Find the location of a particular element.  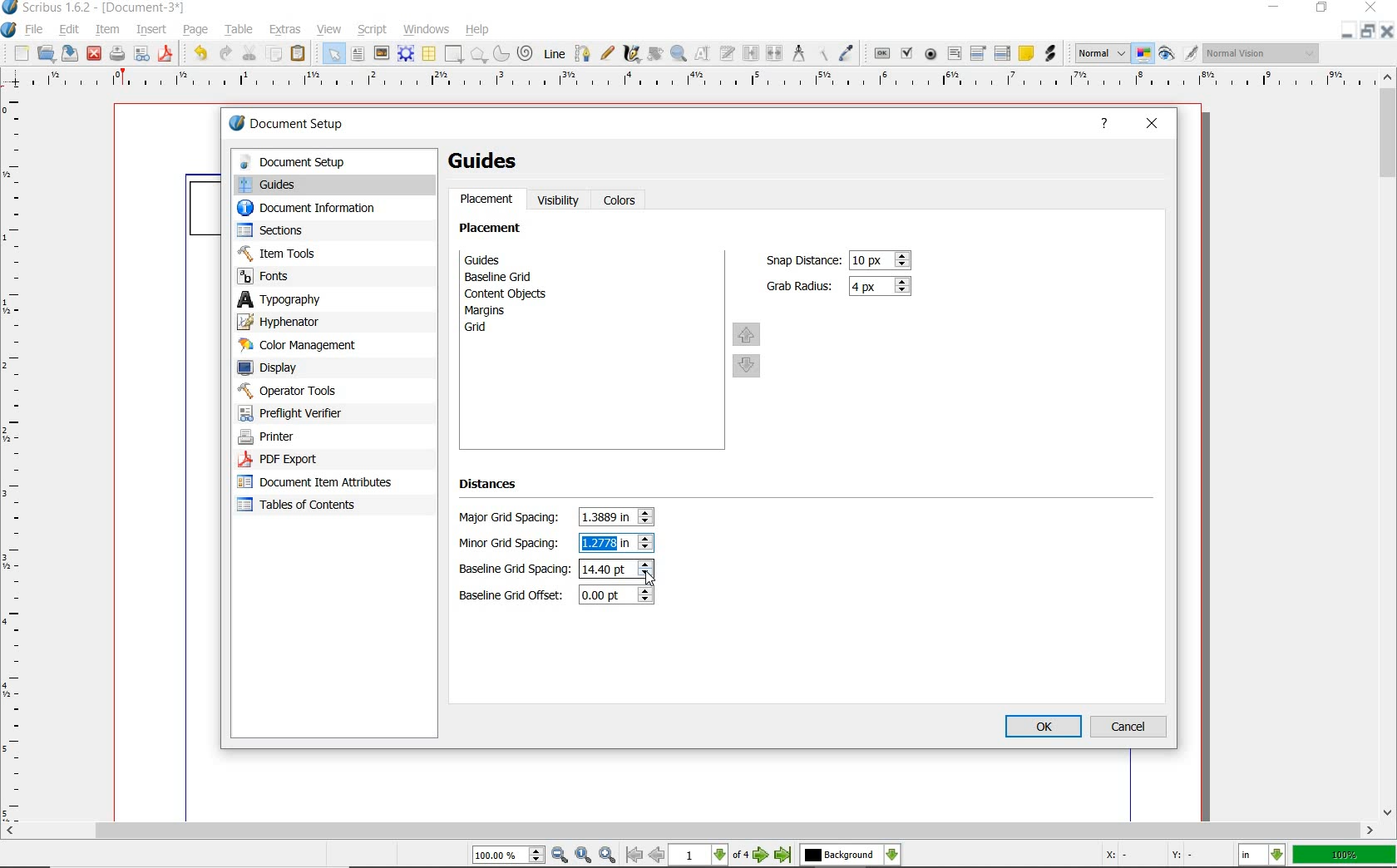

cut is located at coordinates (249, 53).